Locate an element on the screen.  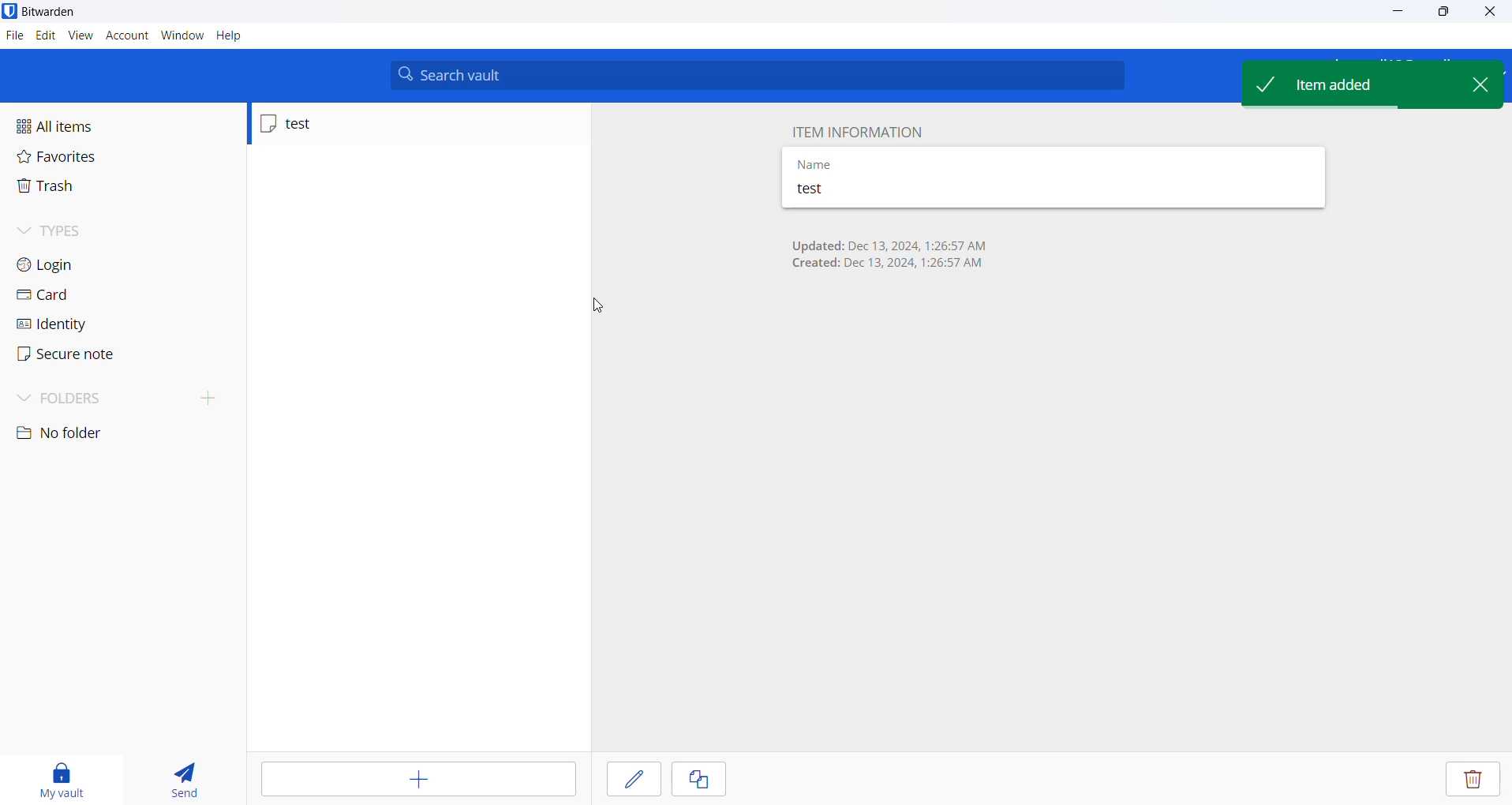
account is located at coordinates (128, 36).